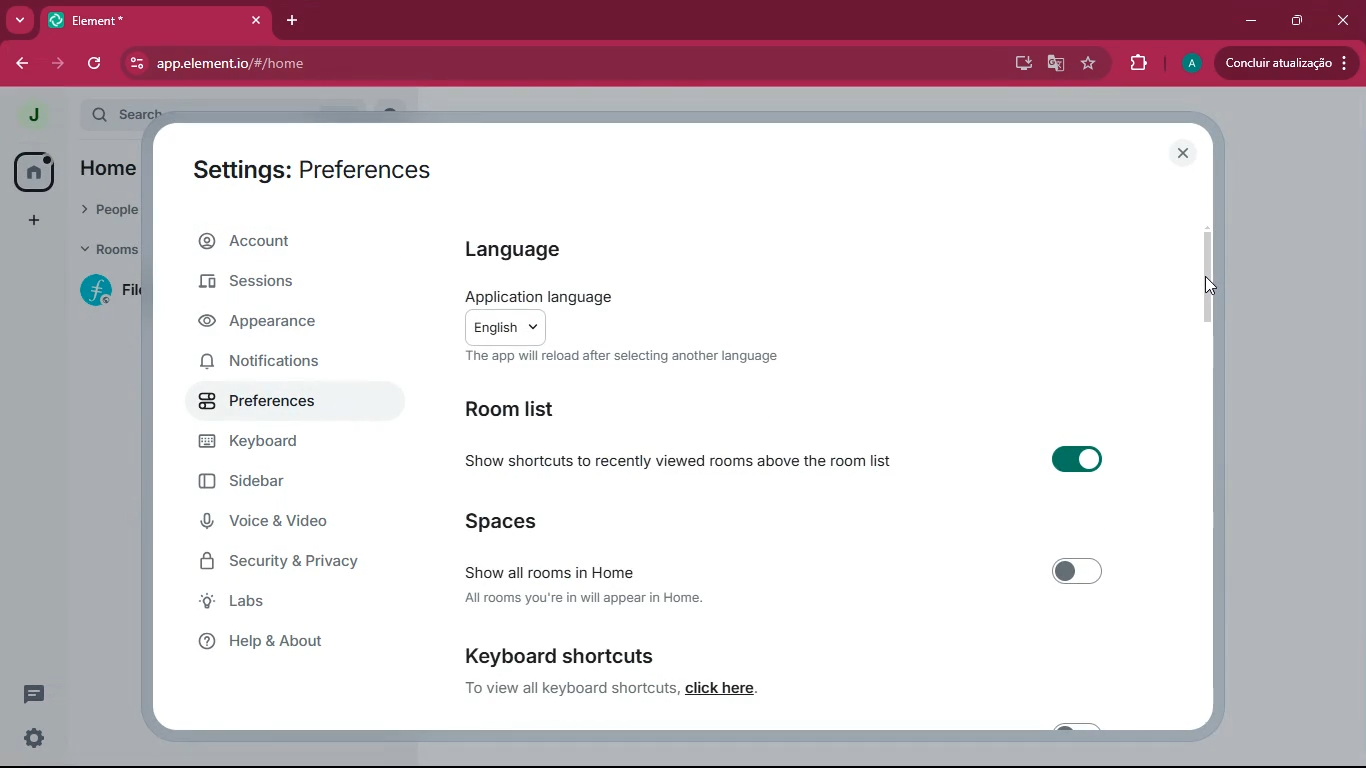  Describe the element at coordinates (303, 166) in the screenshot. I see `settings: Account` at that location.